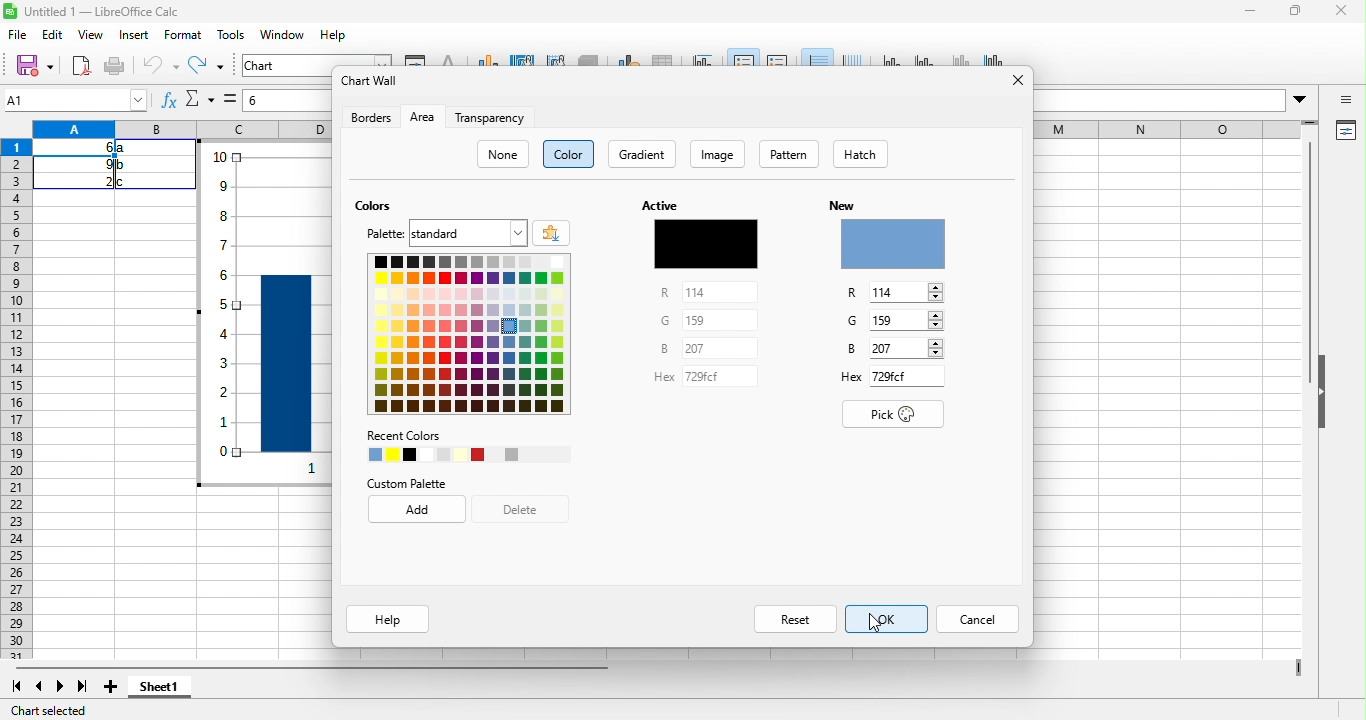 This screenshot has width=1366, height=720. Describe the element at coordinates (1312, 267) in the screenshot. I see `vertical scroll bar` at that location.